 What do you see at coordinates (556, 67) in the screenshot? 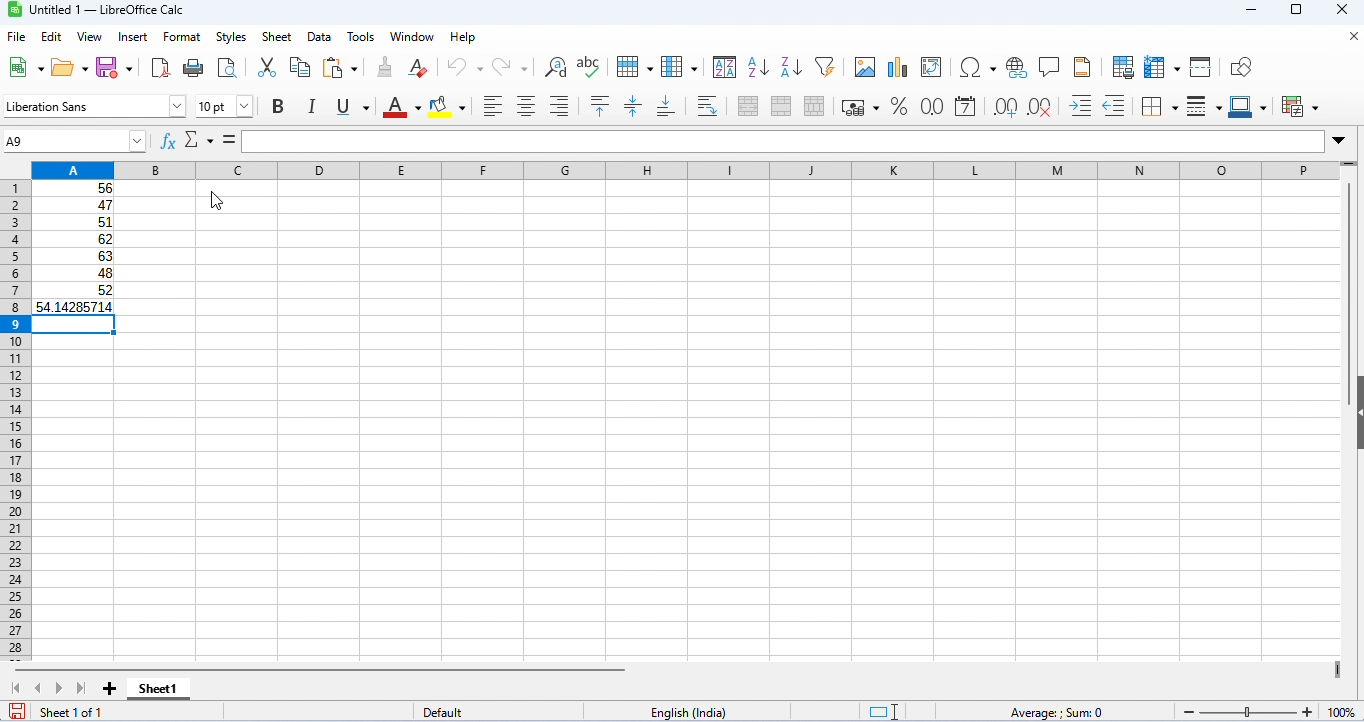
I see `find and replace` at bounding box center [556, 67].